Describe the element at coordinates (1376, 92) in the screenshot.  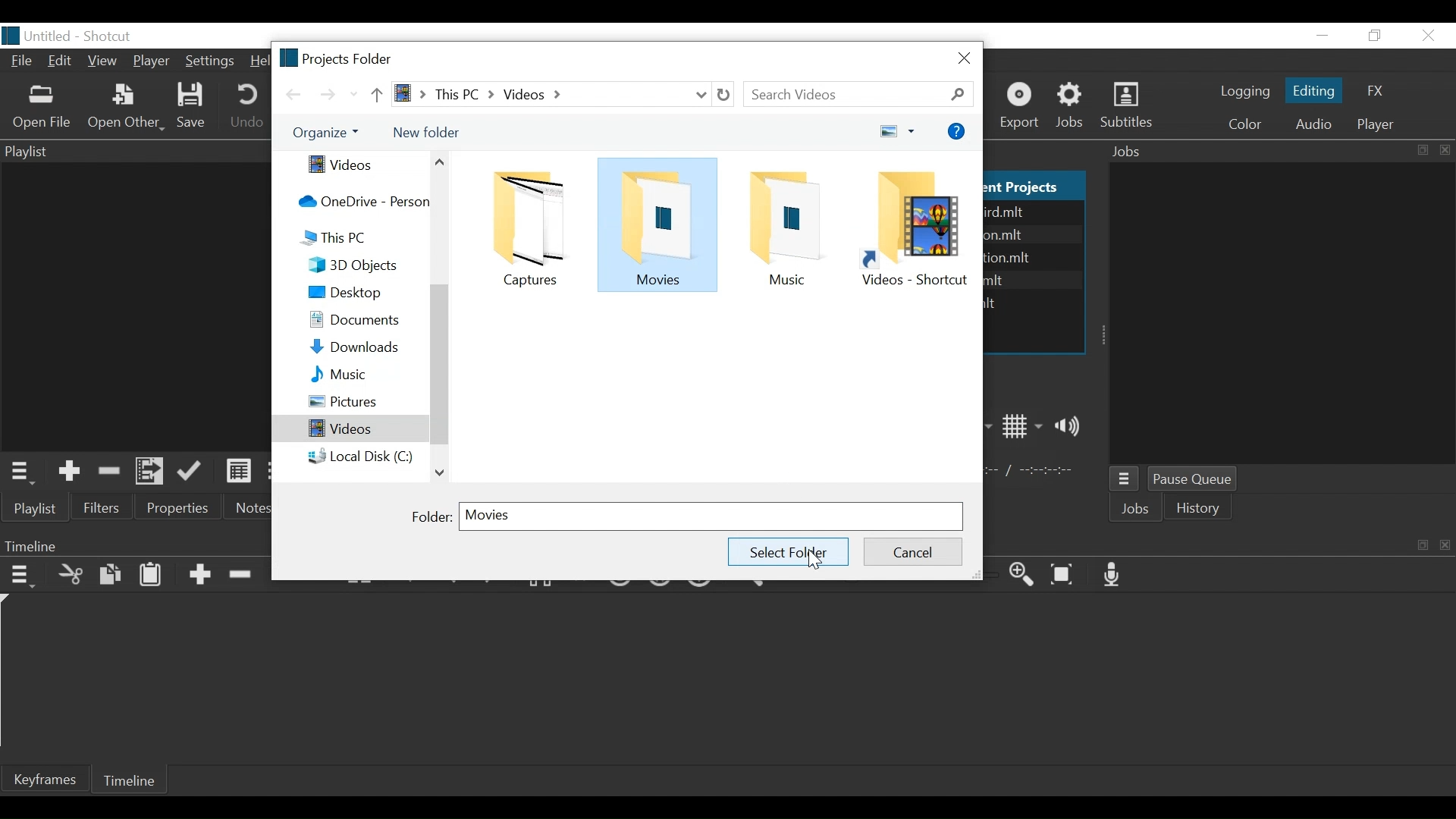
I see `FX` at that location.